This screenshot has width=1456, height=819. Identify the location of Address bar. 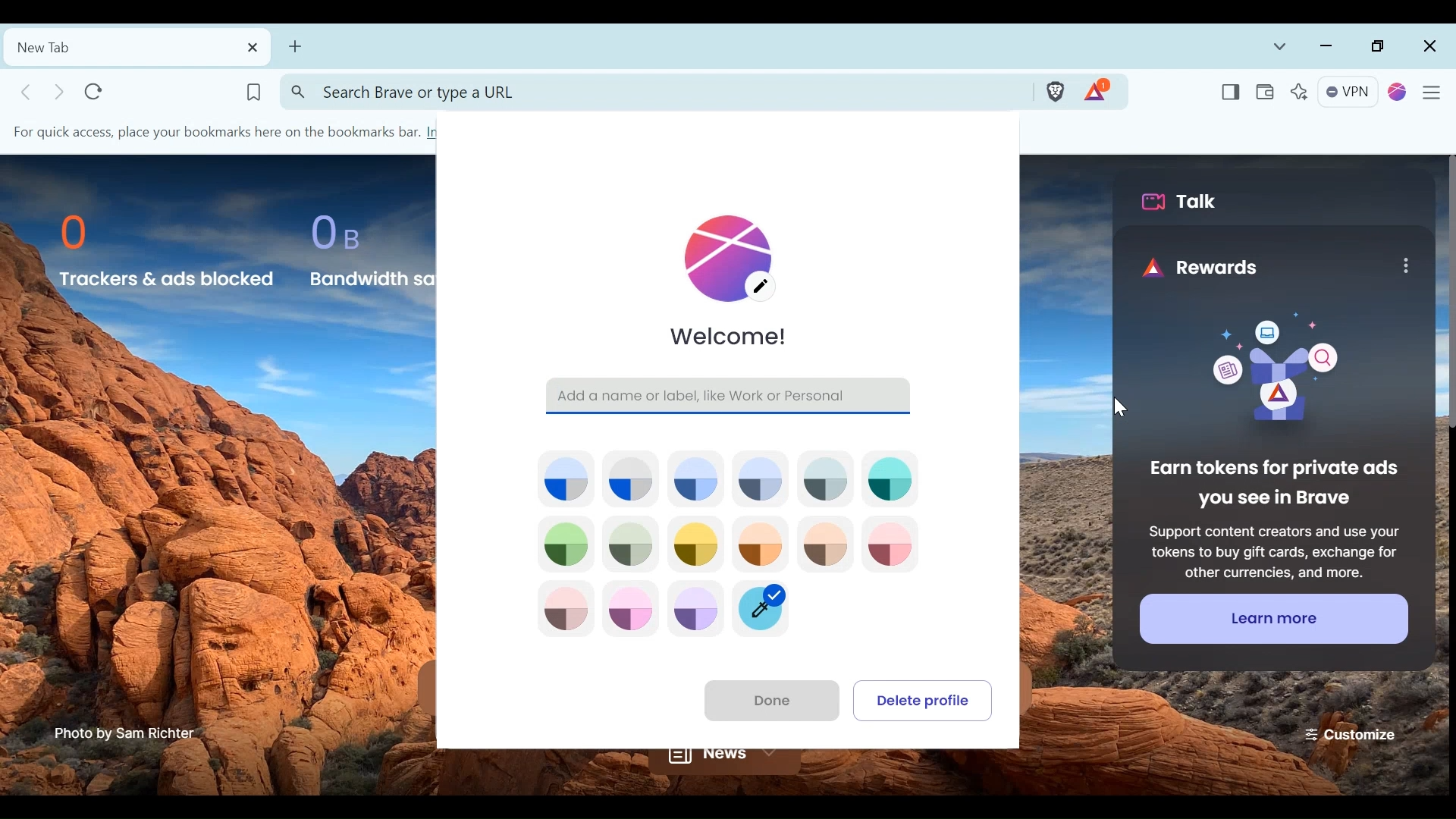
(653, 91).